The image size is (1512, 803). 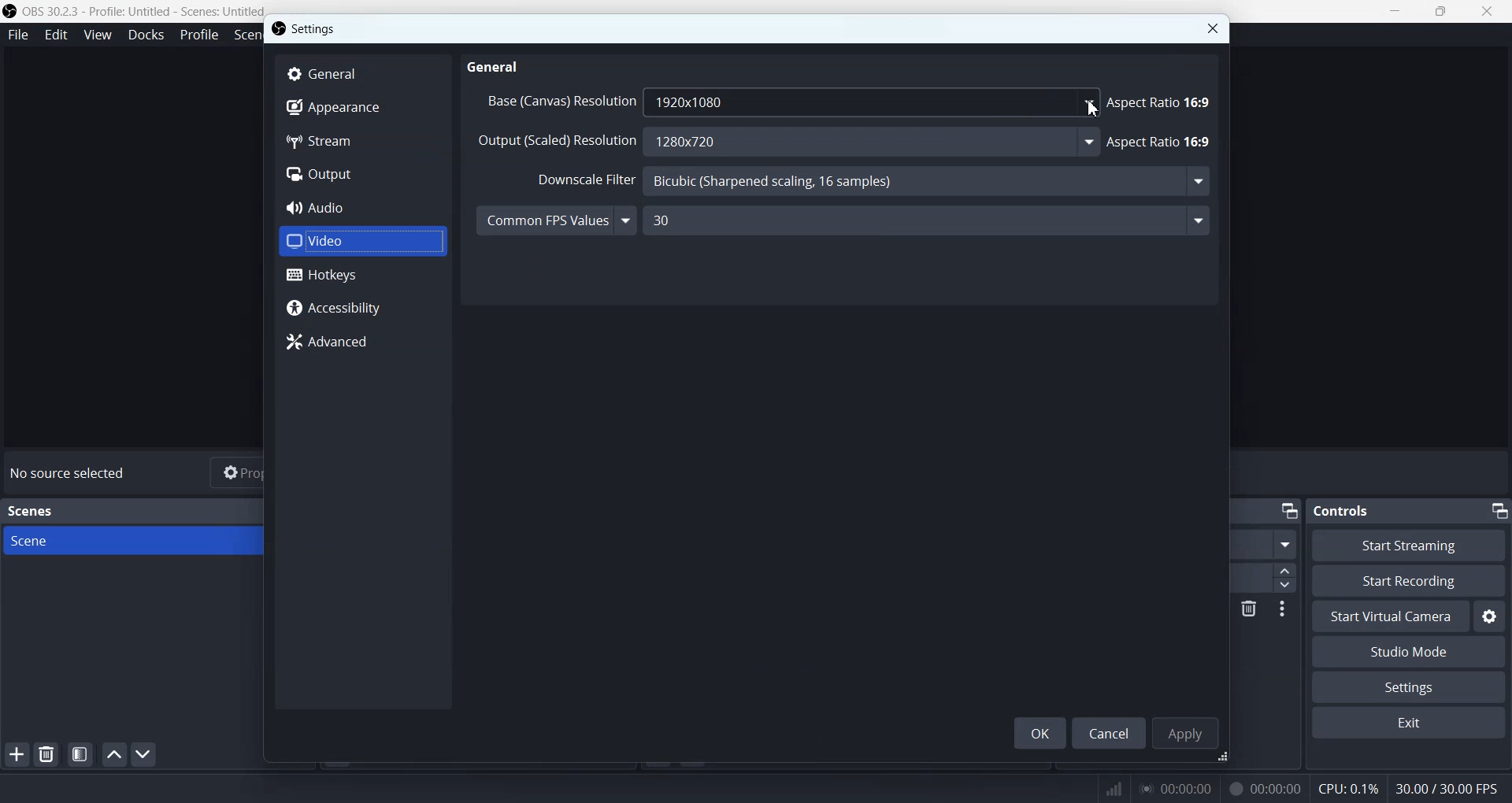 What do you see at coordinates (364, 72) in the screenshot?
I see `General` at bounding box center [364, 72].